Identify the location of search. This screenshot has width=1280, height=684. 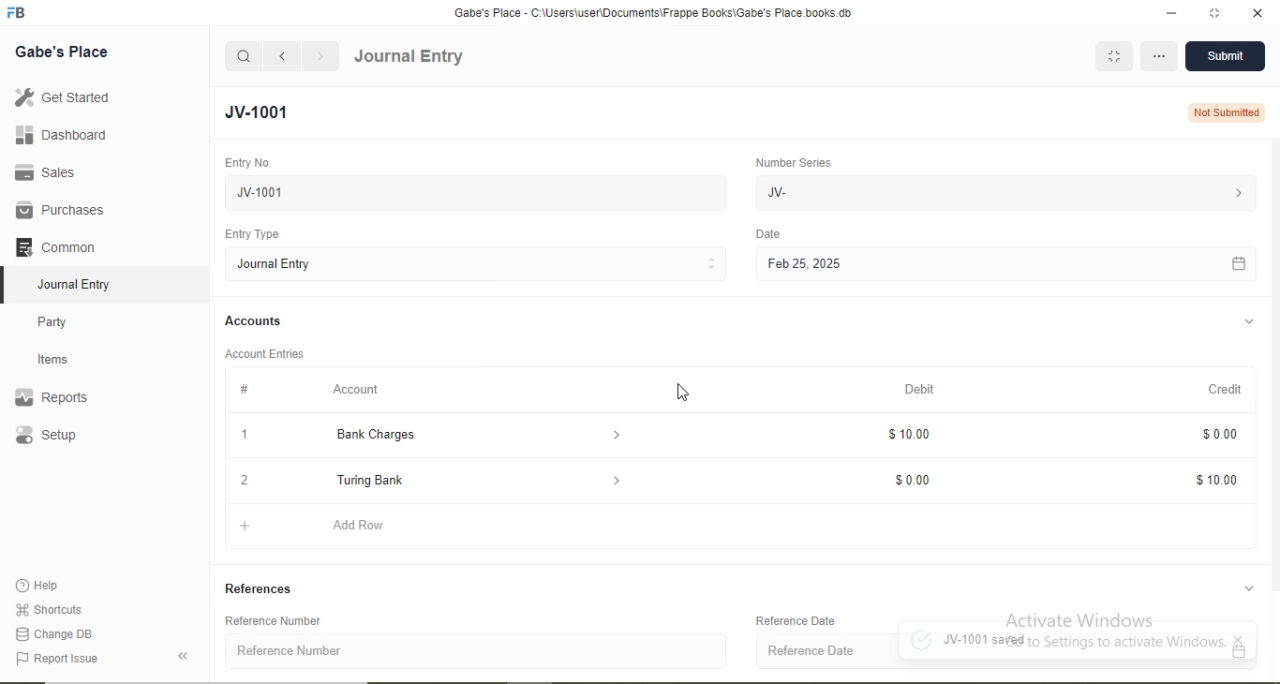
(244, 56).